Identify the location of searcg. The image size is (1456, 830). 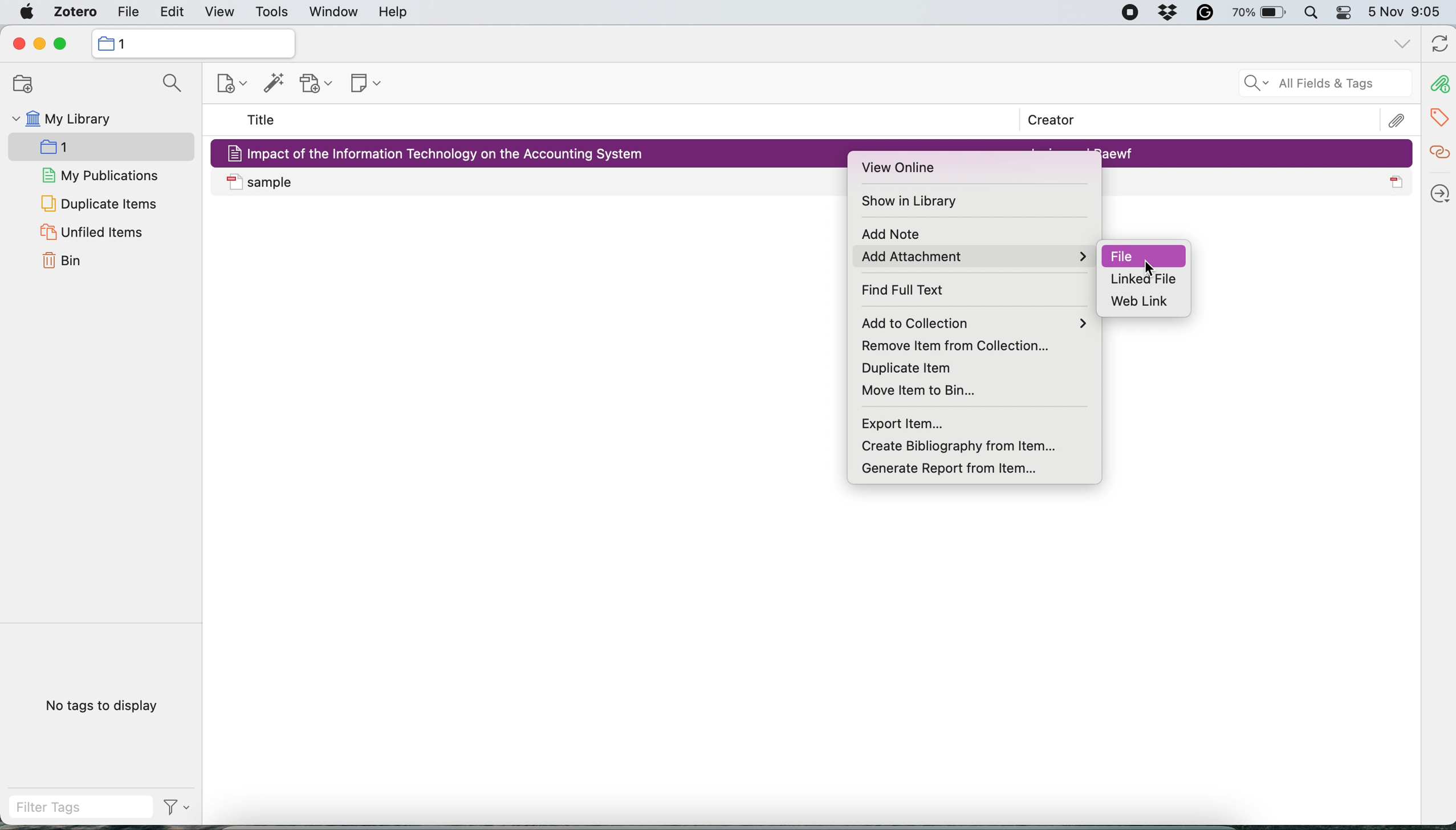
(168, 86).